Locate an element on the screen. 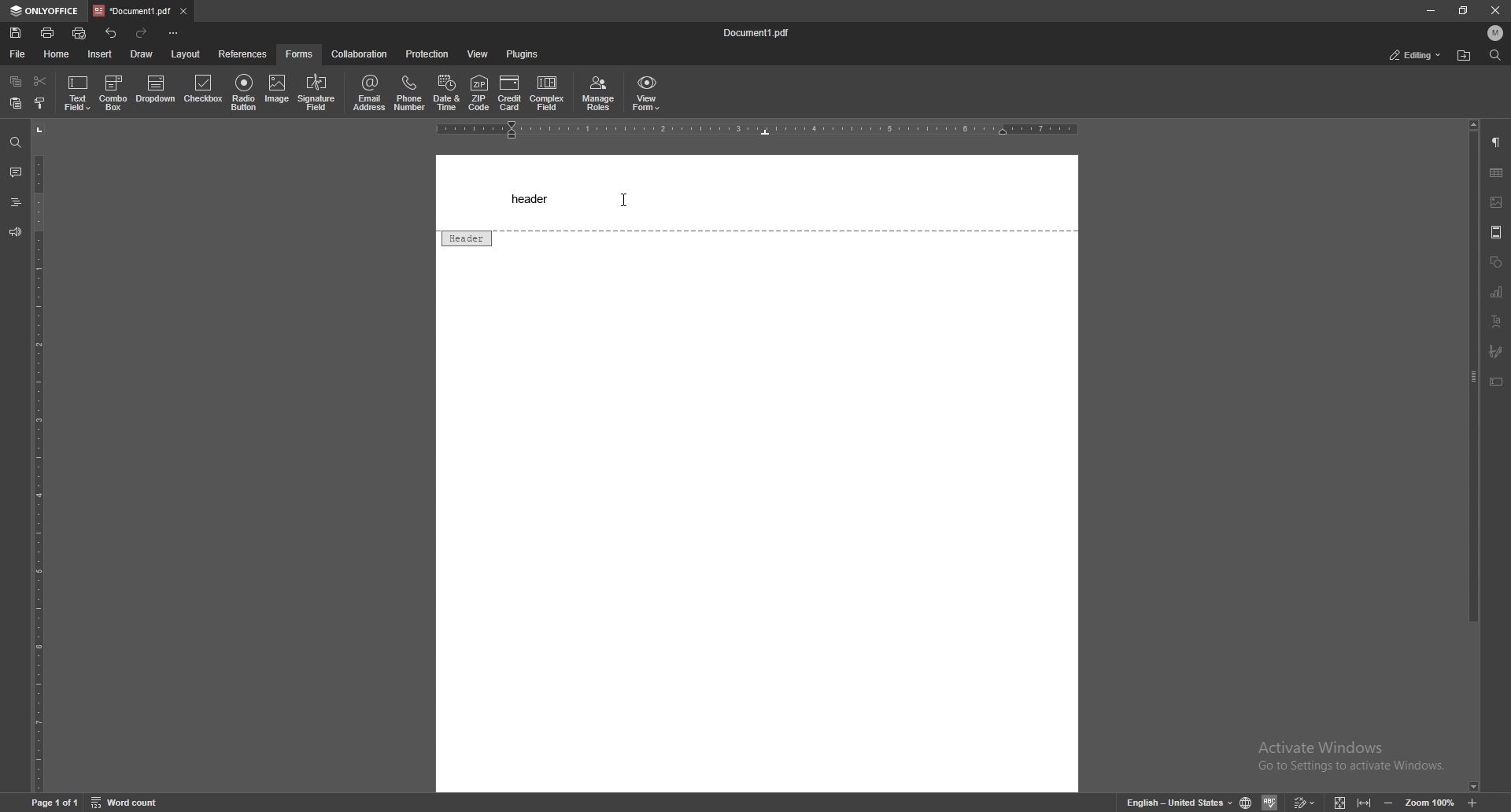 The width and height of the screenshot is (1511, 812). insert is located at coordinates (99, 54).